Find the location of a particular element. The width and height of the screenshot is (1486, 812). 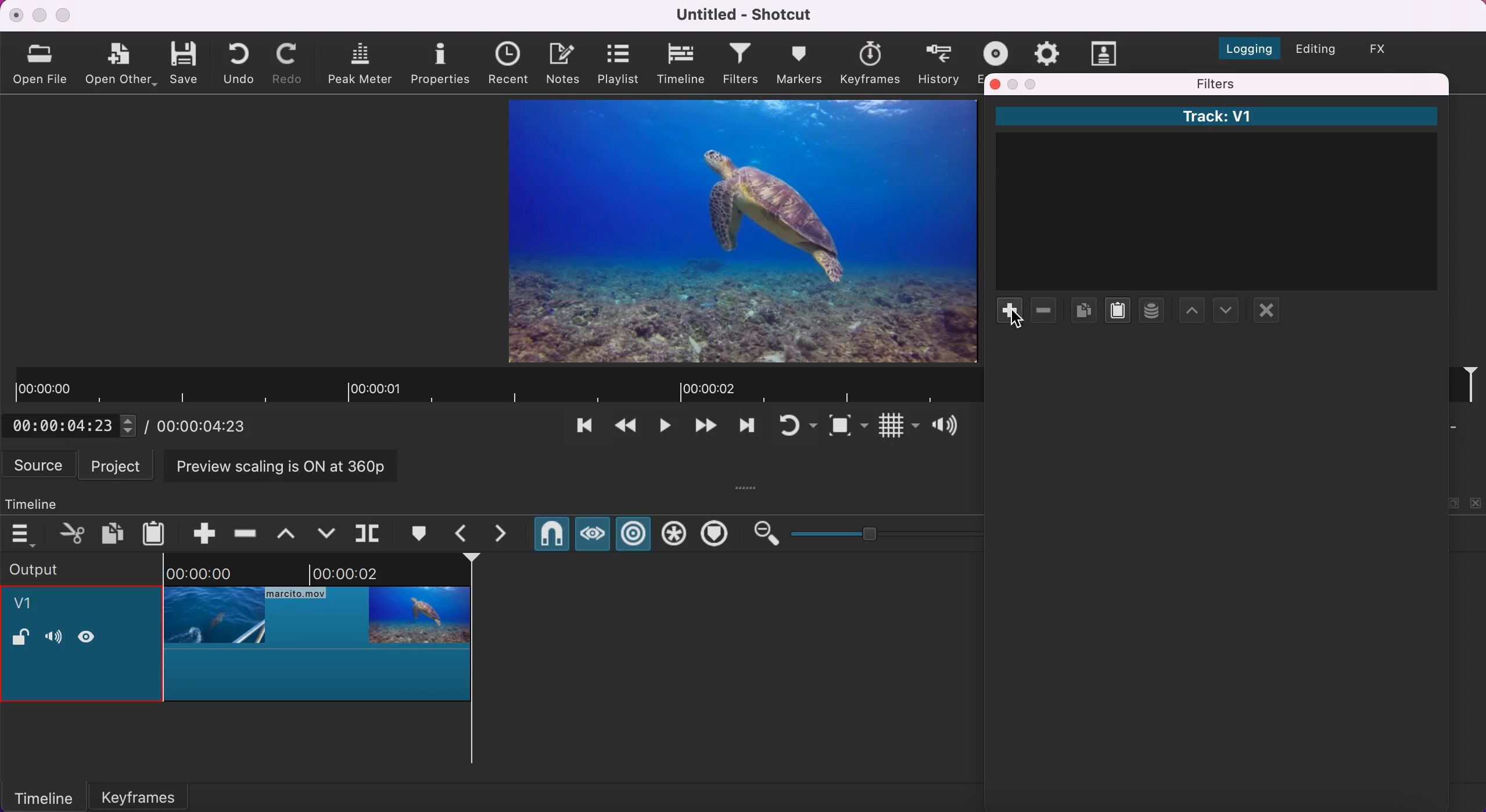

minimize is located at coordinates (39, 15).